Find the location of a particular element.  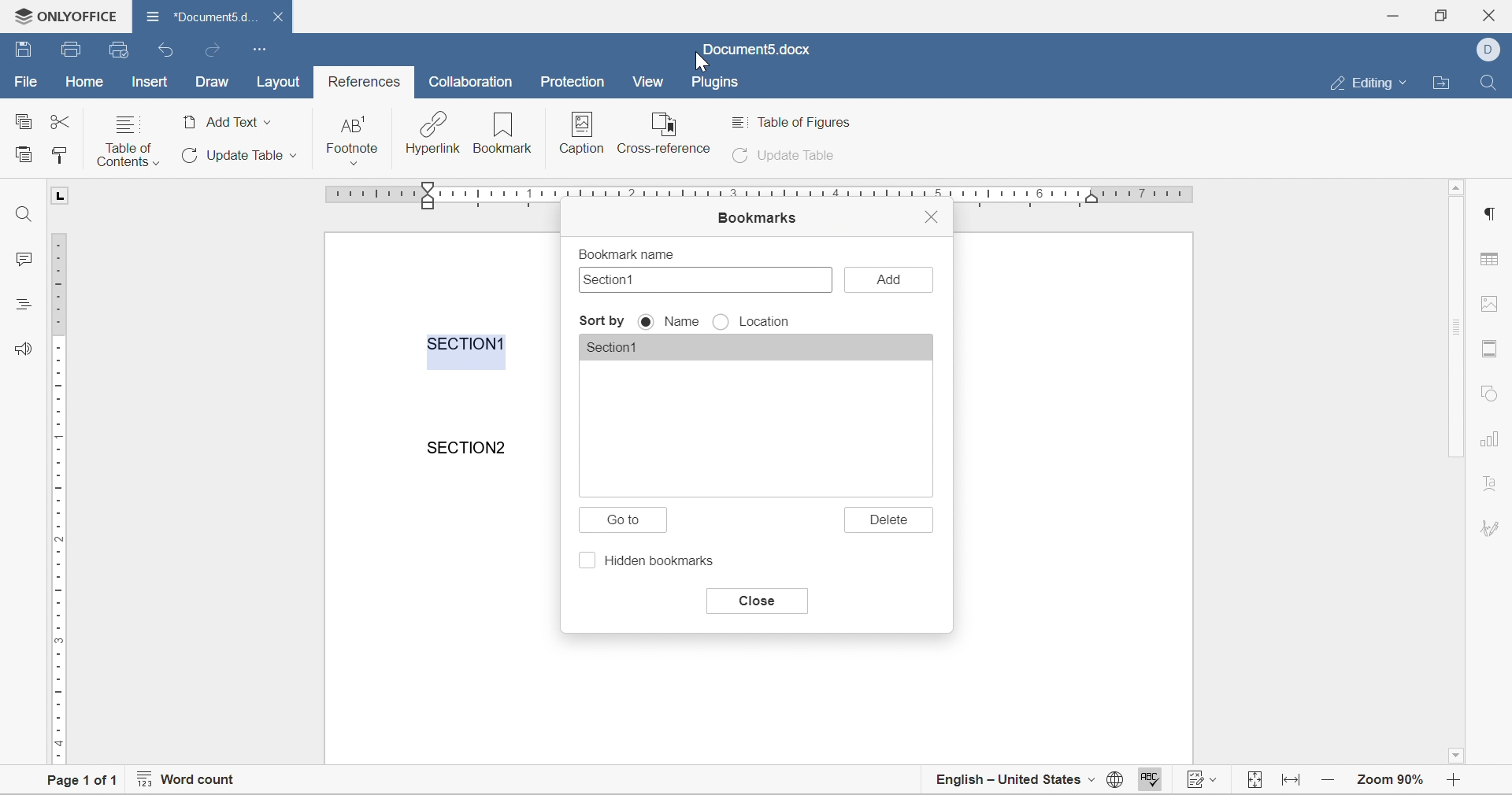

bookmarks is located at coordinates (755, 219).